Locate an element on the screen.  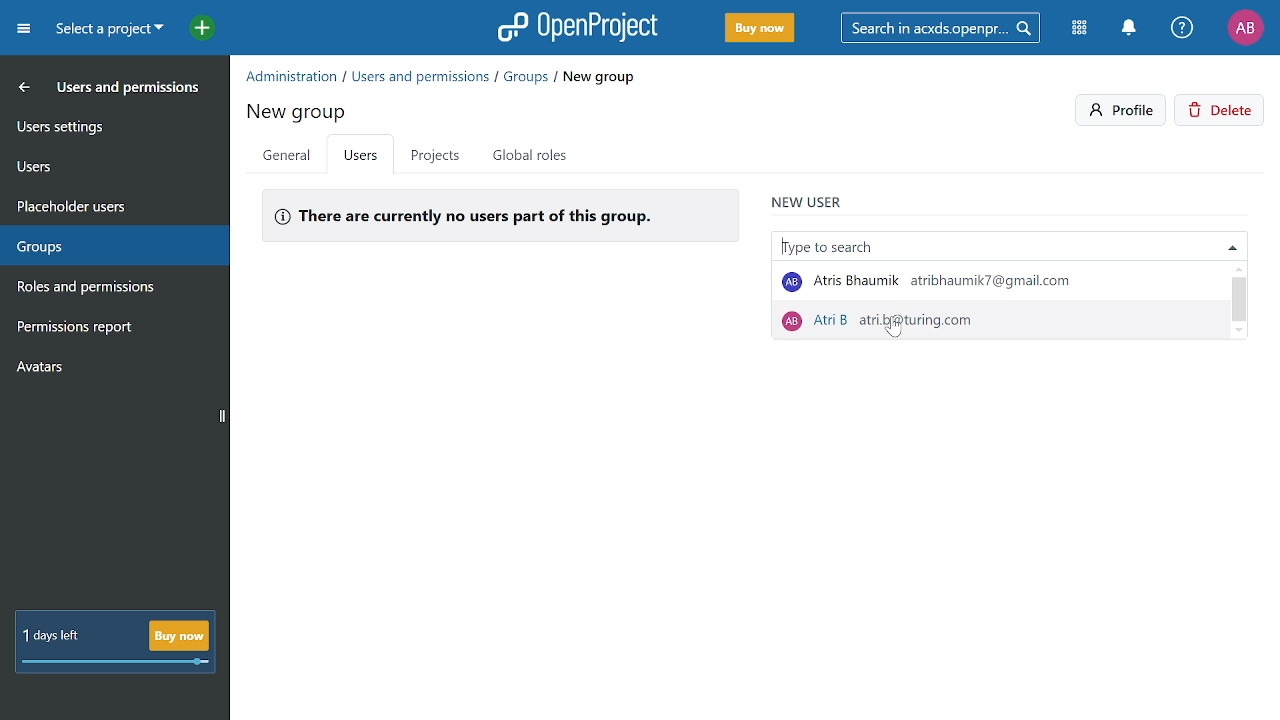
Global roles is located at coordinates (534, 155).